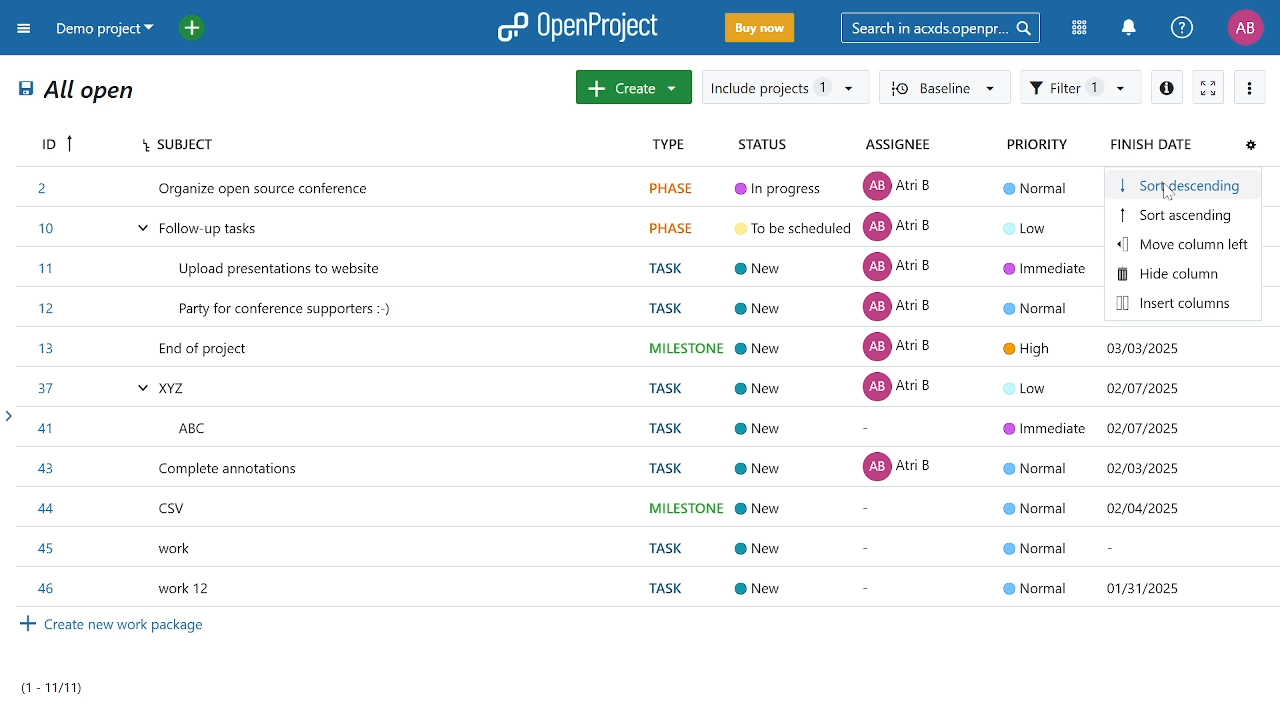 Image resolution: width=1280 pixels, height=720 pixels. What do you see at coordinates (786, 147) in the screenshot?
I see `status` at bounding box center [786, 147].